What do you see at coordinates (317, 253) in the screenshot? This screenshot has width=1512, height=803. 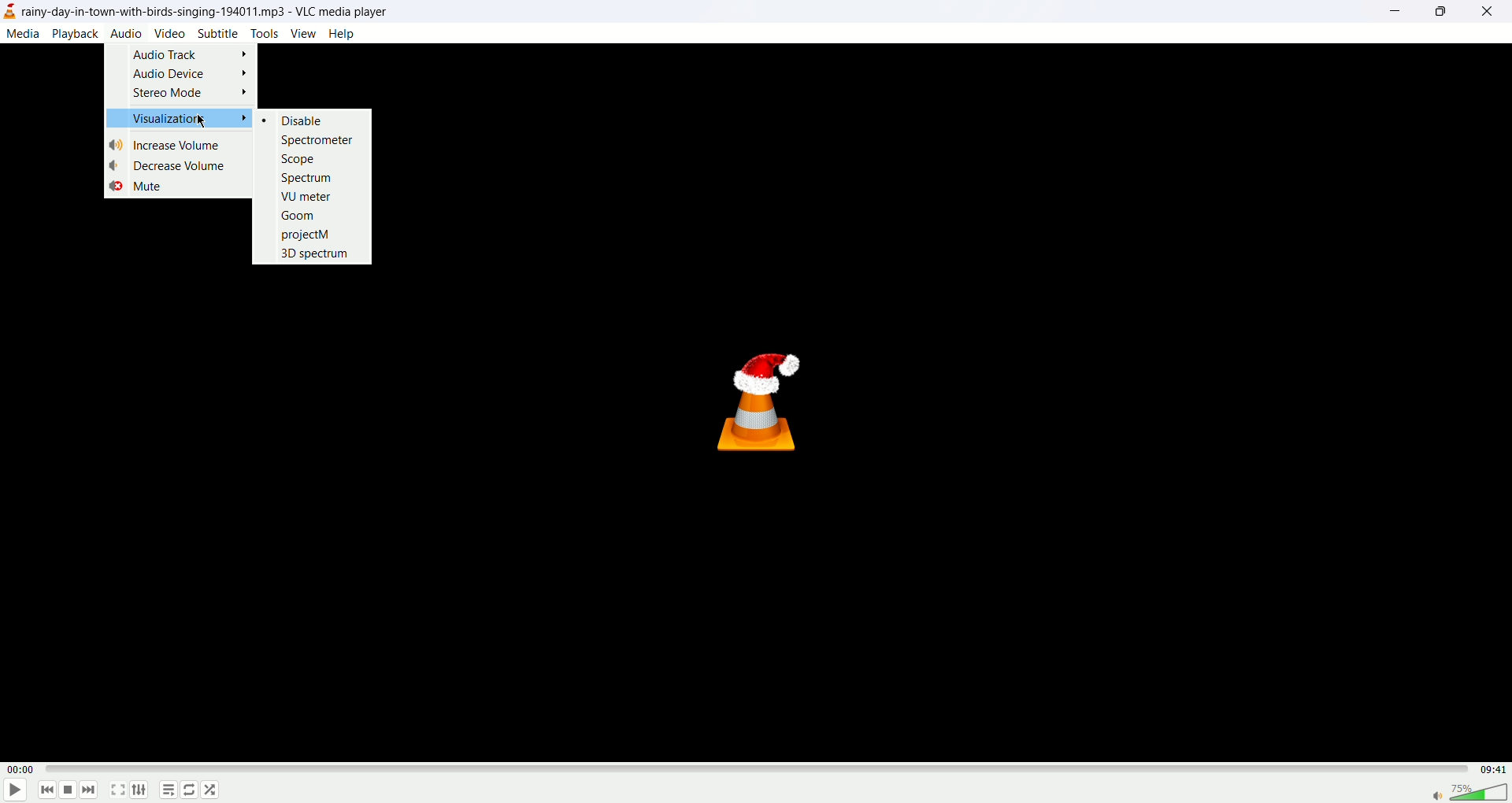 I see `3D SPECTRUM` at bounding box center [317, 253].